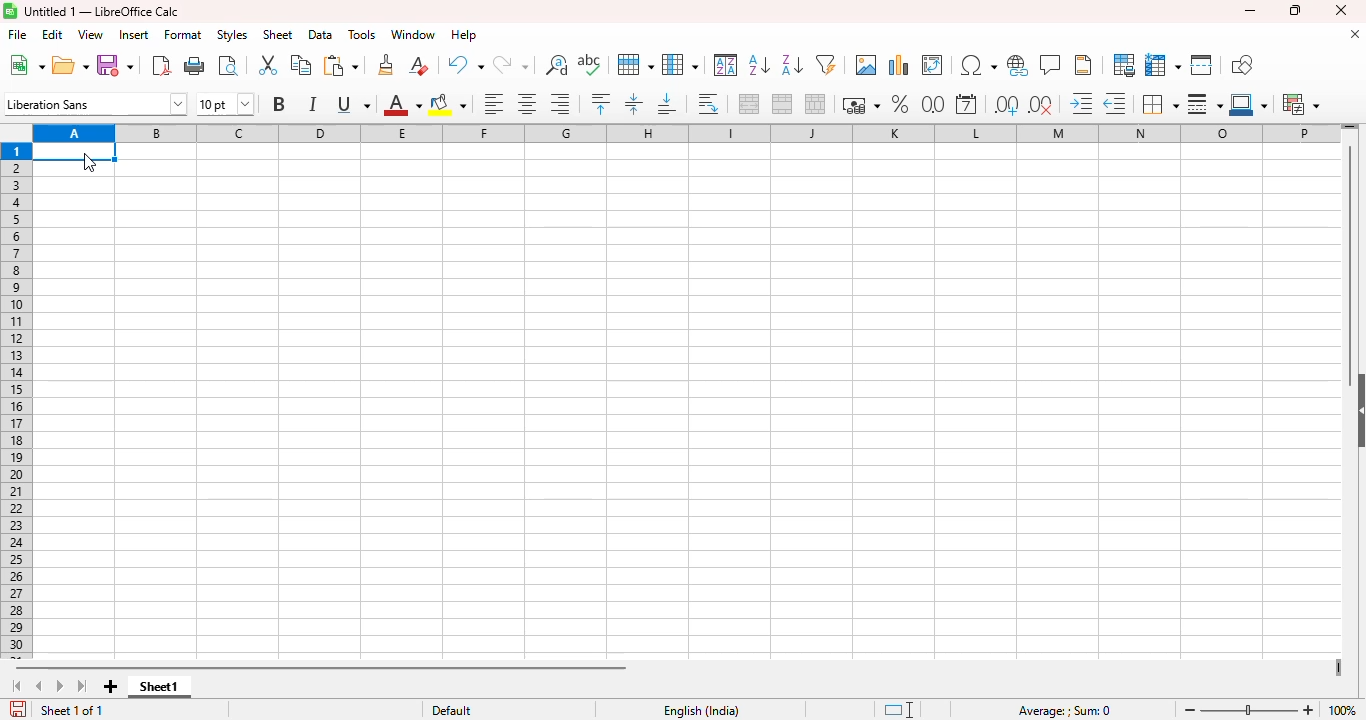  I want to click on help, so click(464, 35).